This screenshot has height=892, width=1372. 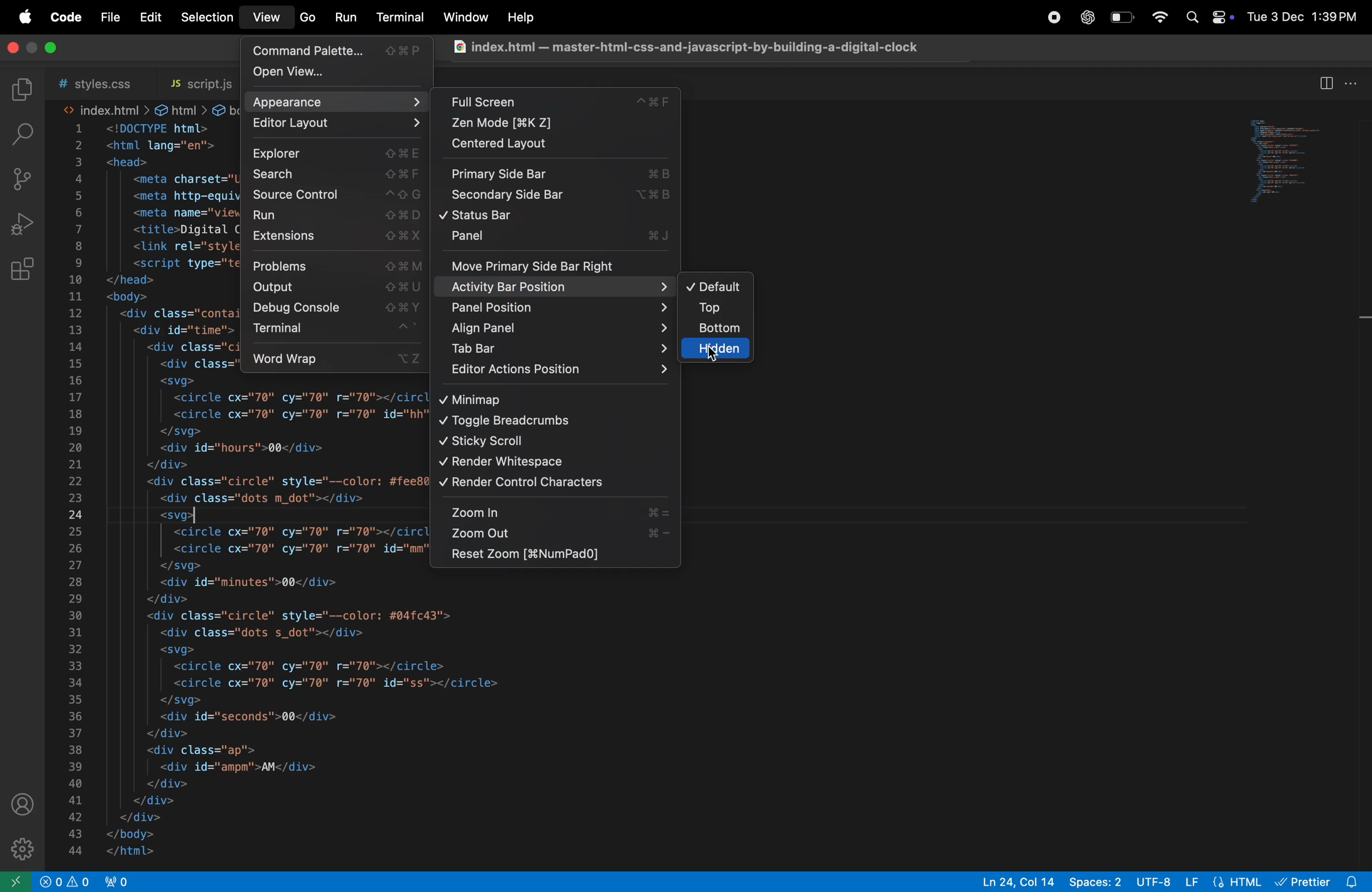 What do you see at coordinates (10, 46) in the screenshot?
I see `close` at bounding box center [10, 46].